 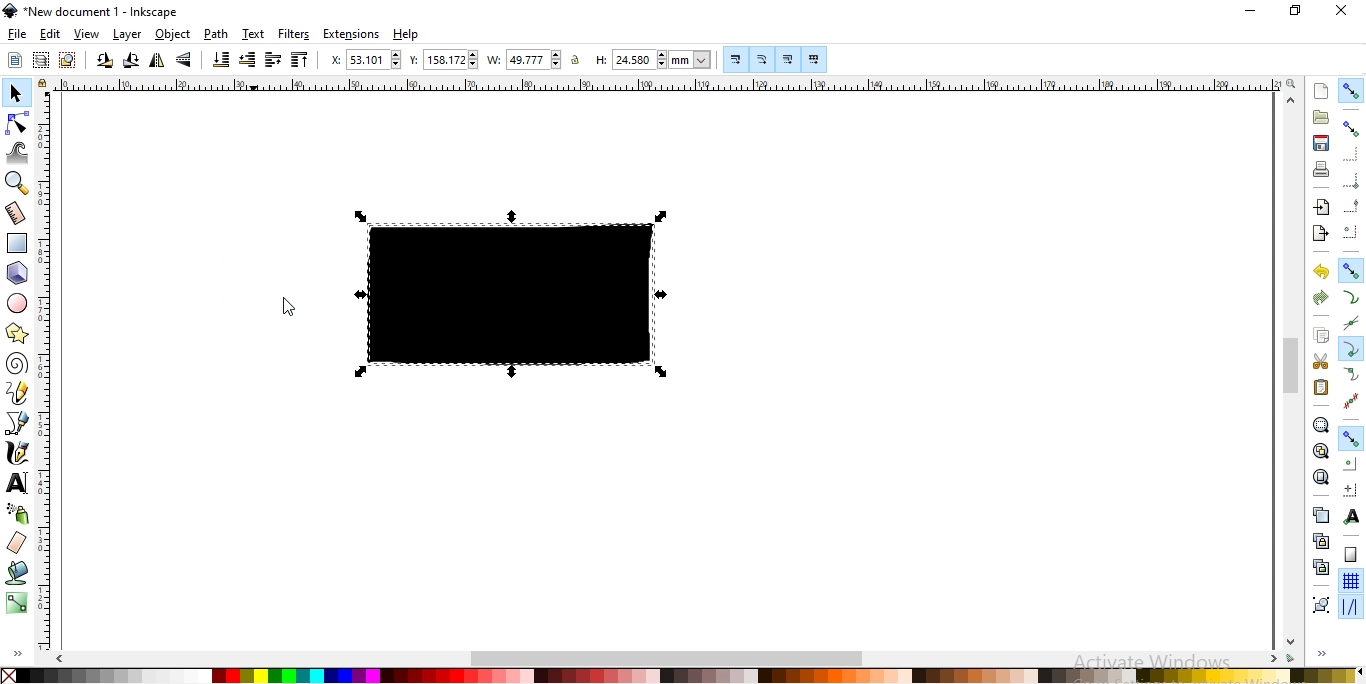 What do you see at coordinates (18, 154) in the screenshot?
I see `tweak objects by sculpting or painting` at bounding box center [18, 154].